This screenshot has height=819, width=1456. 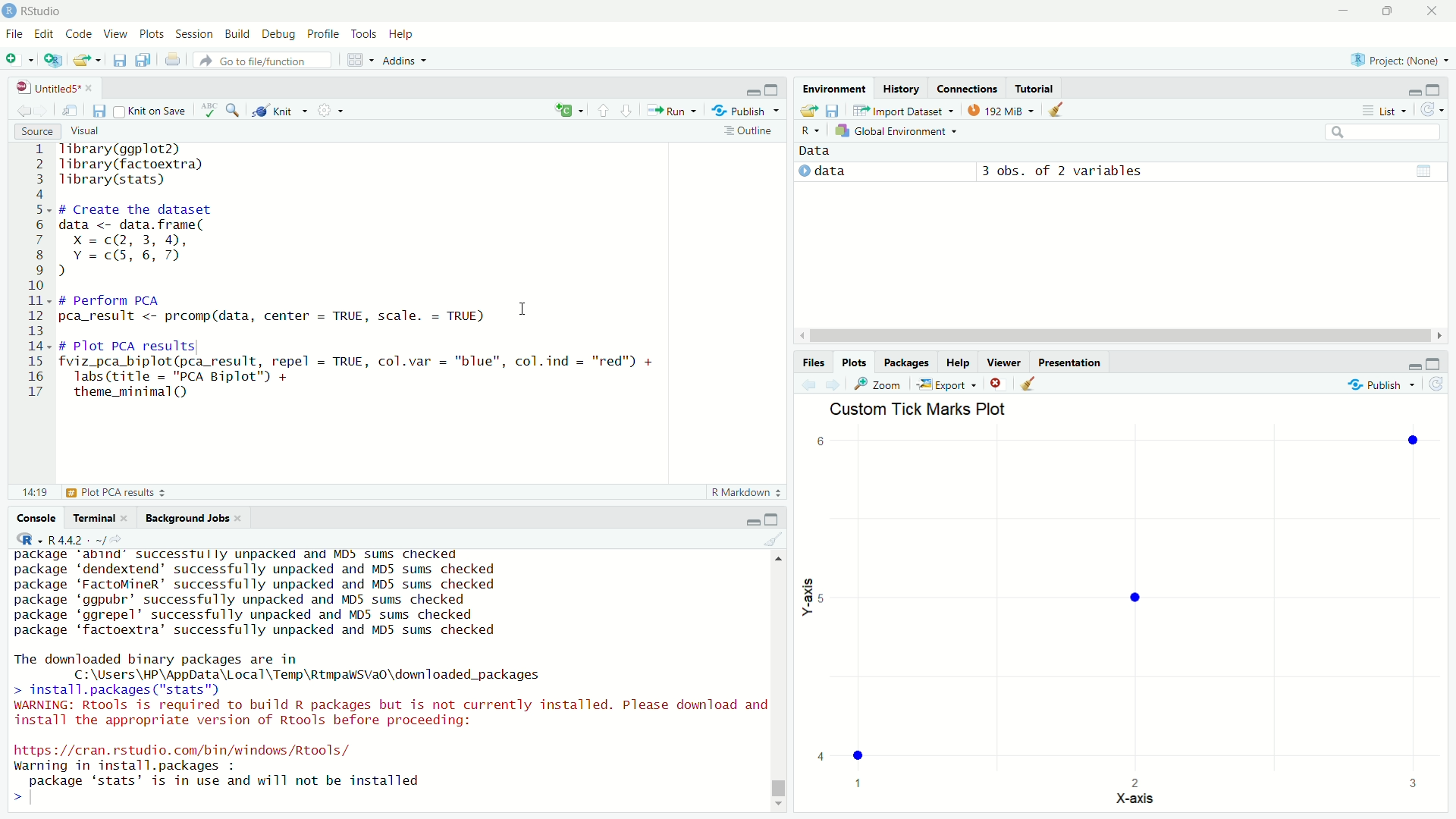 What do you see at coordinates (902, 110) in the screenshot?
I see `import dataset` at bounding box center [902, 110].